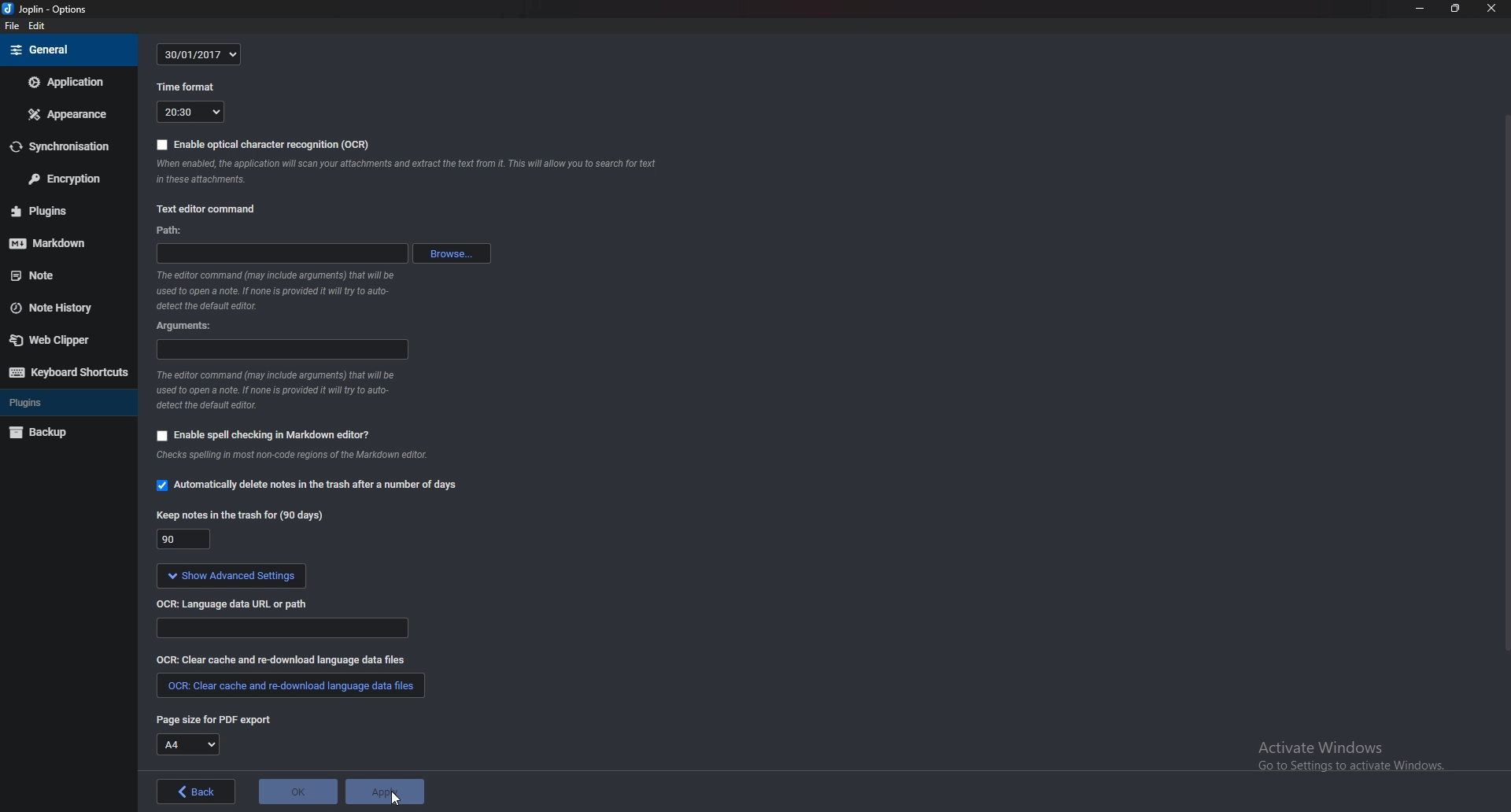 This screenshot has width=1511, height=812. I want to click on info, so click(298, 455).